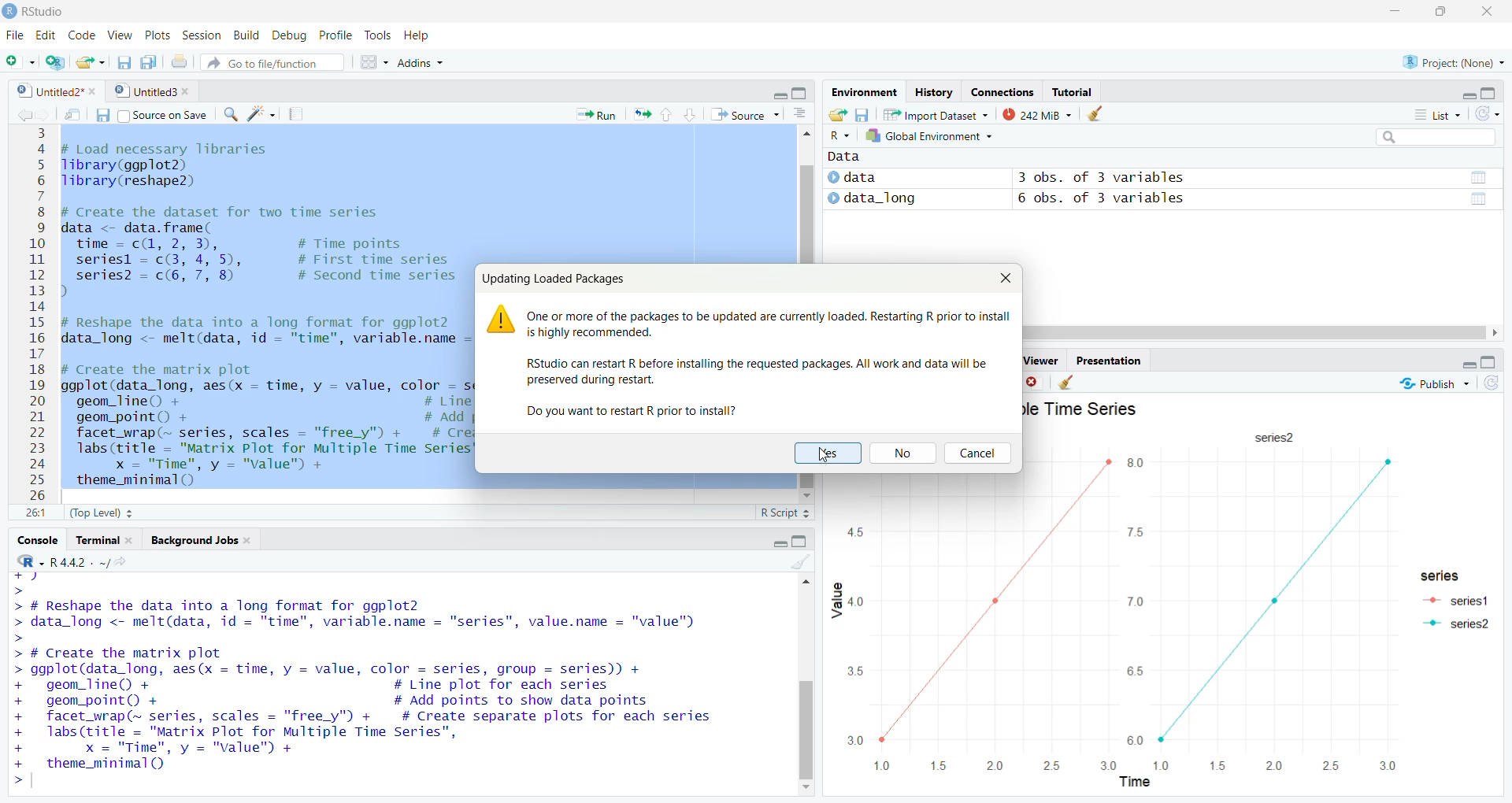 This screenshot has width=1512, height=803. I want to click on Console, so click(37, 540).